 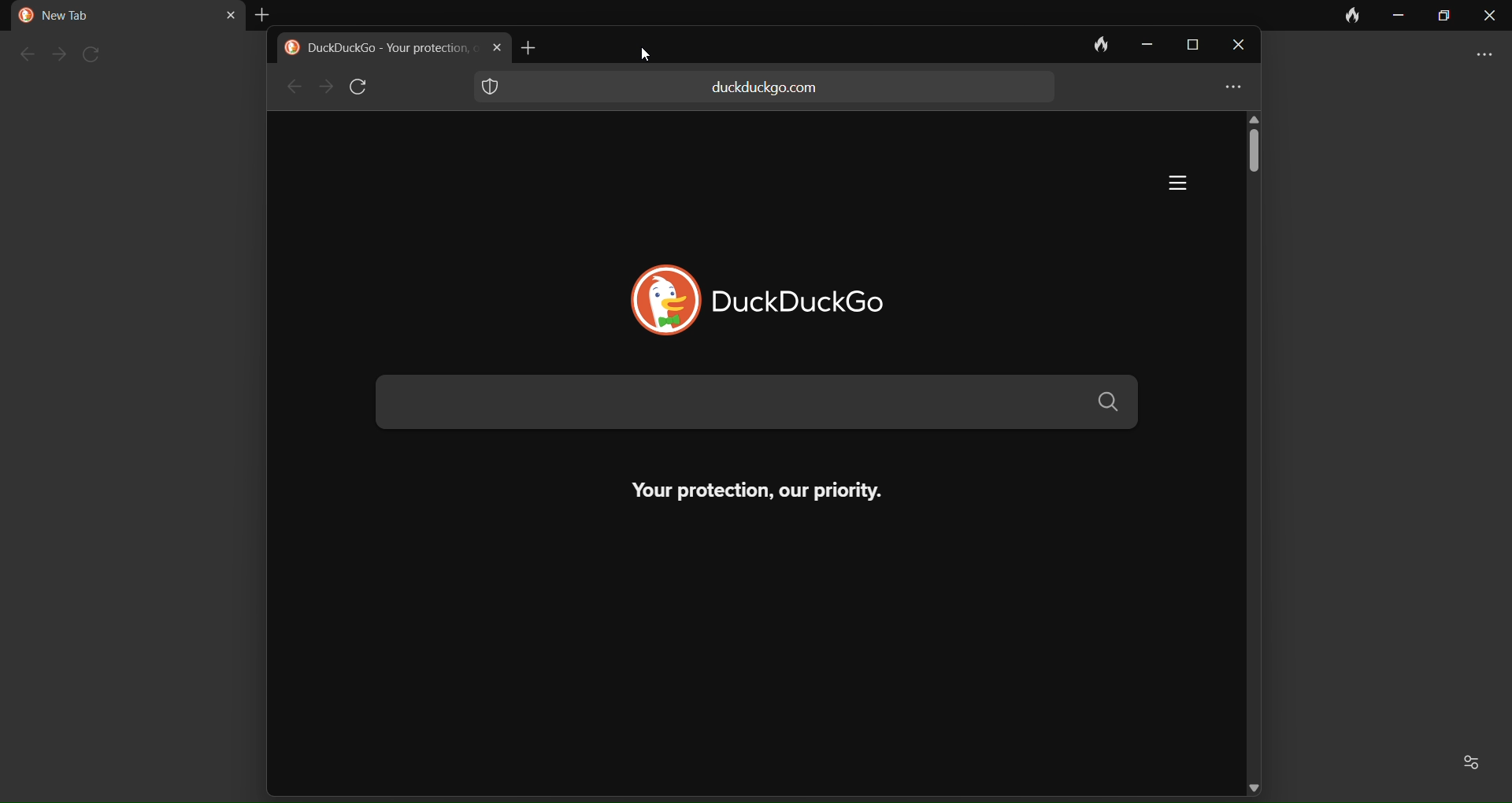 I want to click on Logo, so click(x=647, y=295).